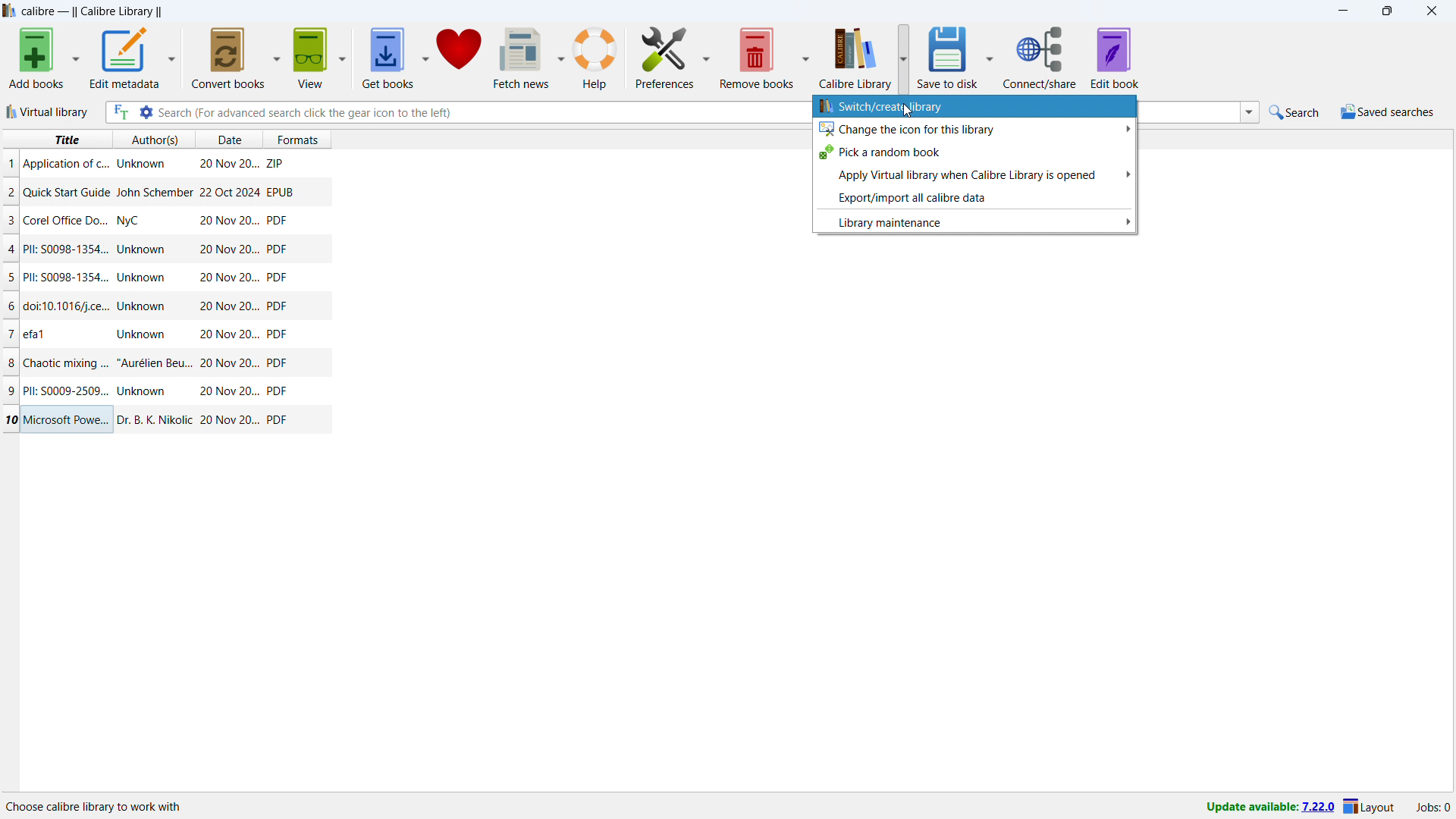  What do you see at coordinates (1296, 112) in the screenshot?
I see `quick search` at bounding box center [1296, 112].